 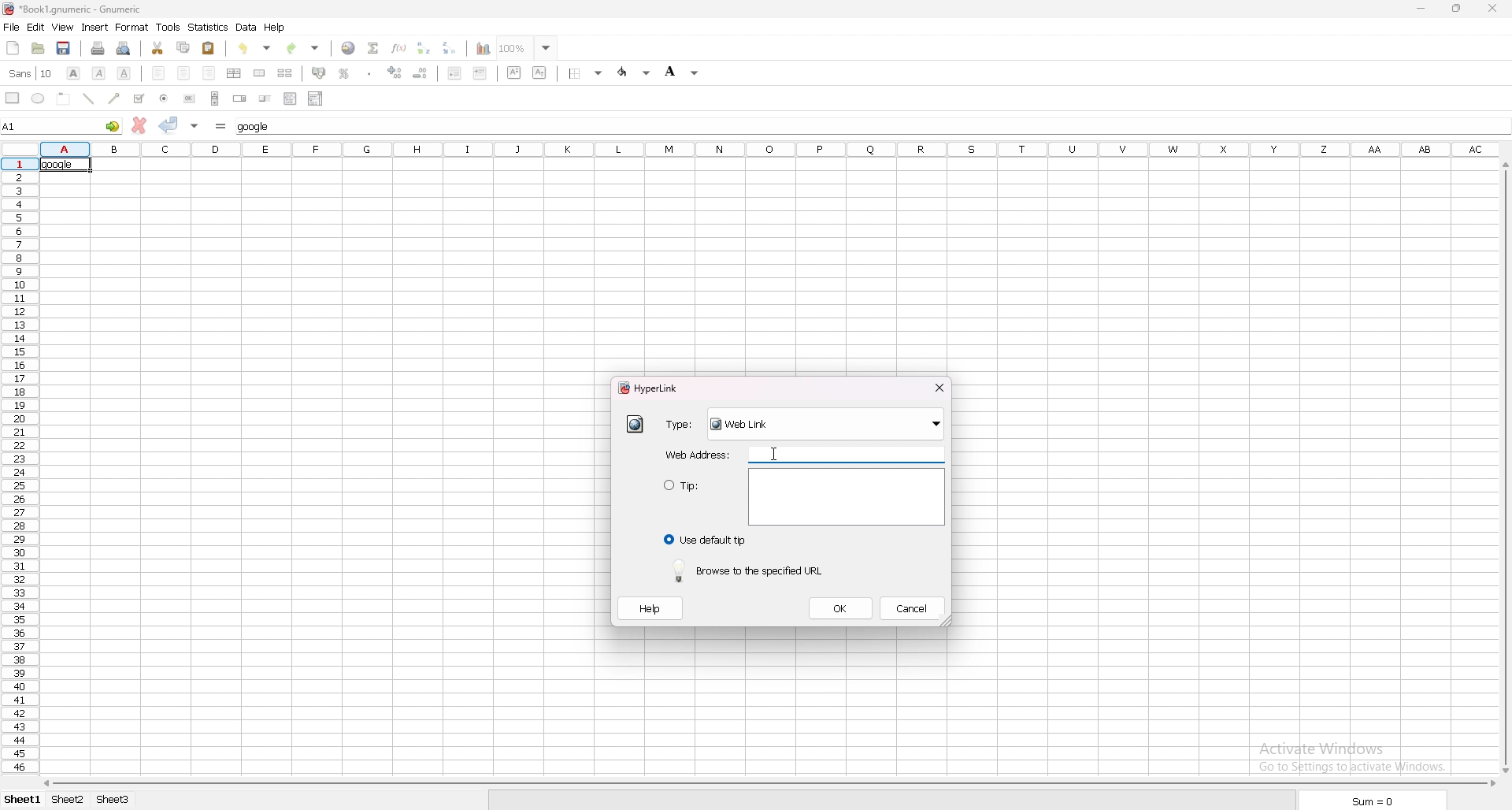 I want to click on edit, so click(x=36, y=28).